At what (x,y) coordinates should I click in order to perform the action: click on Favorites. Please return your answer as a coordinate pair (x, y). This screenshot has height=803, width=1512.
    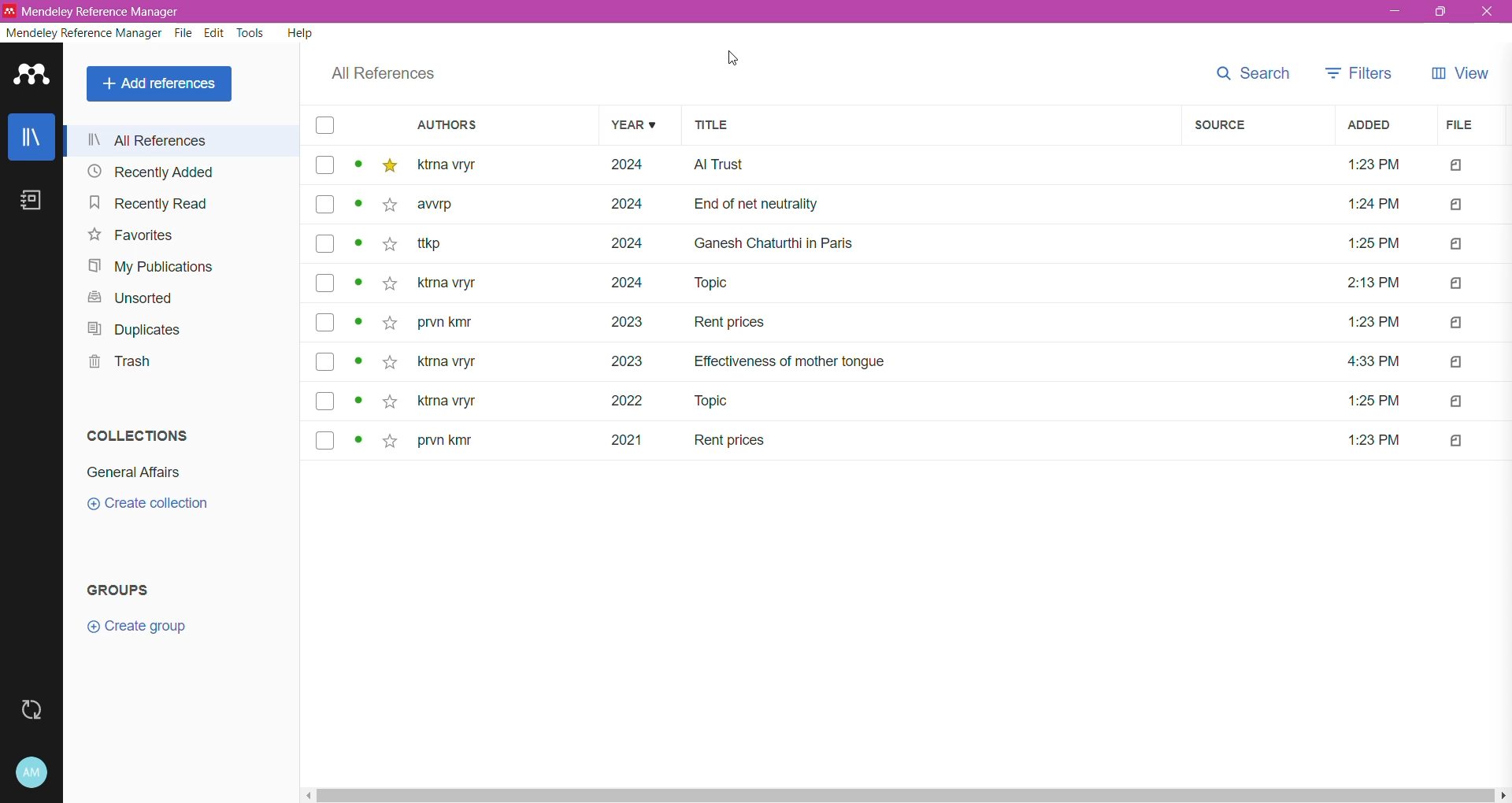
    Looking at the image, I should click on (126, 235).